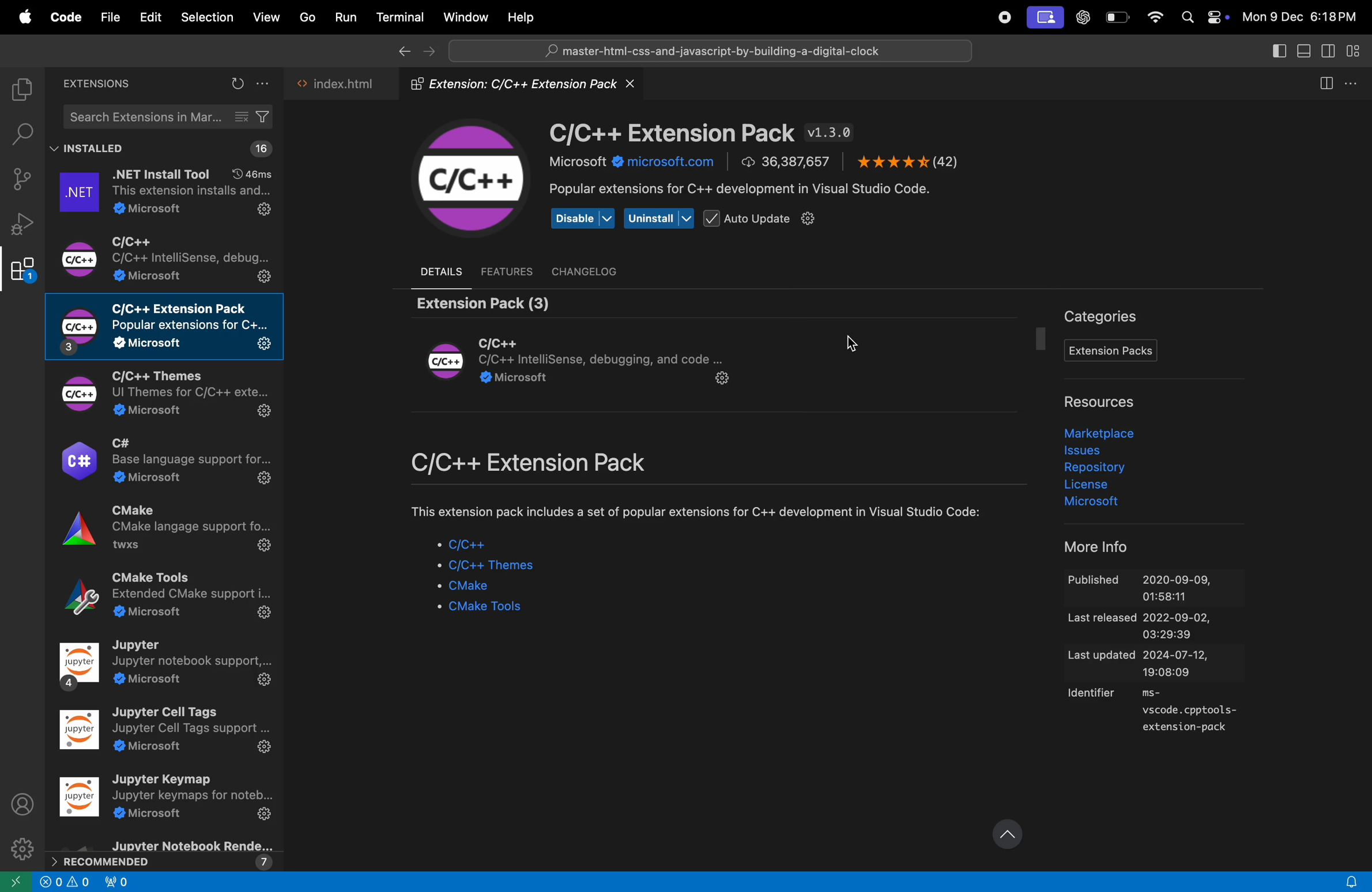 This screenshot has height=892, width=1372. I want to click on record, so click(998, 17).